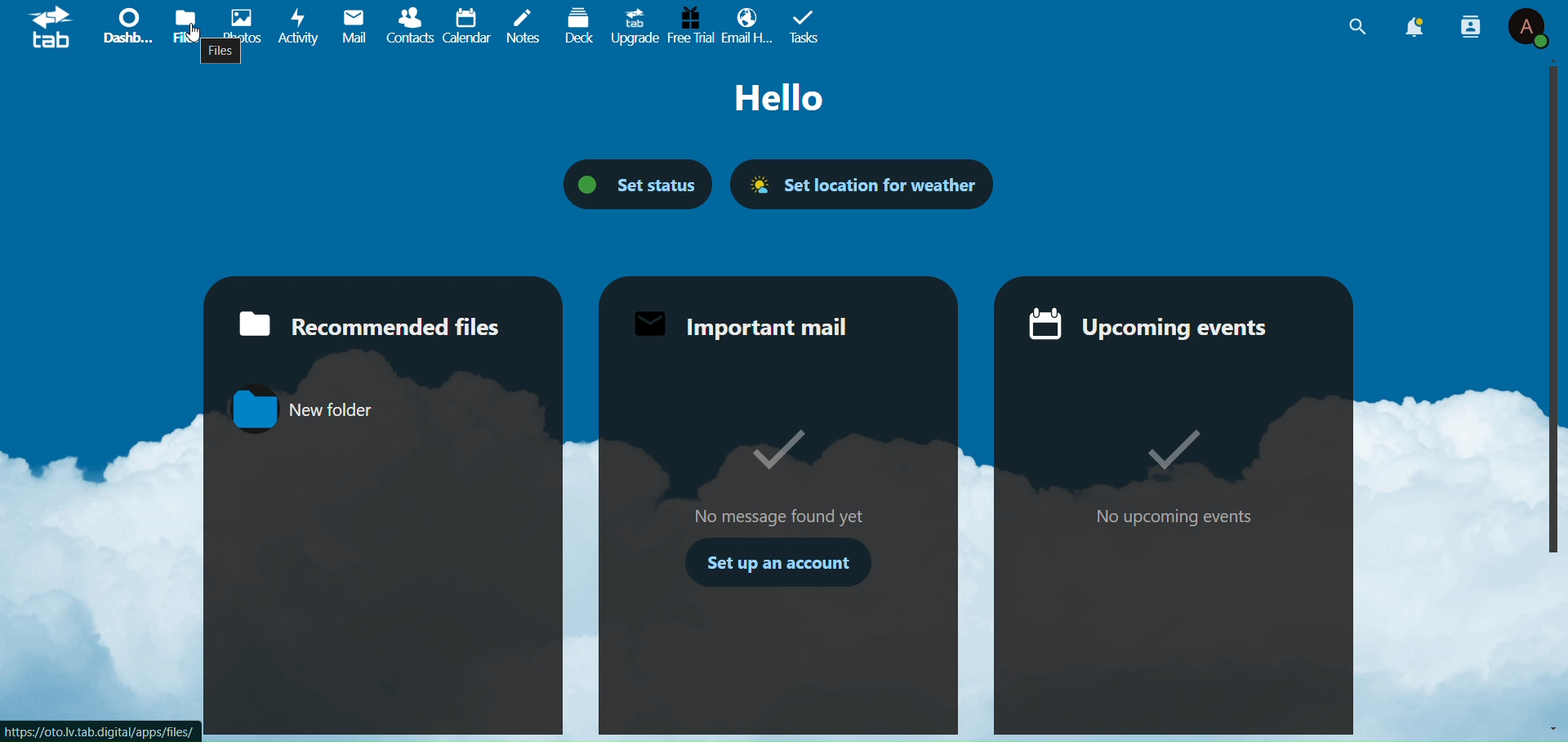 This screenshot has height=742, width=1568. What do you see at coordinates (236, 23) in the screenshot?
I see `Photos` at bounding box center [236, 23].